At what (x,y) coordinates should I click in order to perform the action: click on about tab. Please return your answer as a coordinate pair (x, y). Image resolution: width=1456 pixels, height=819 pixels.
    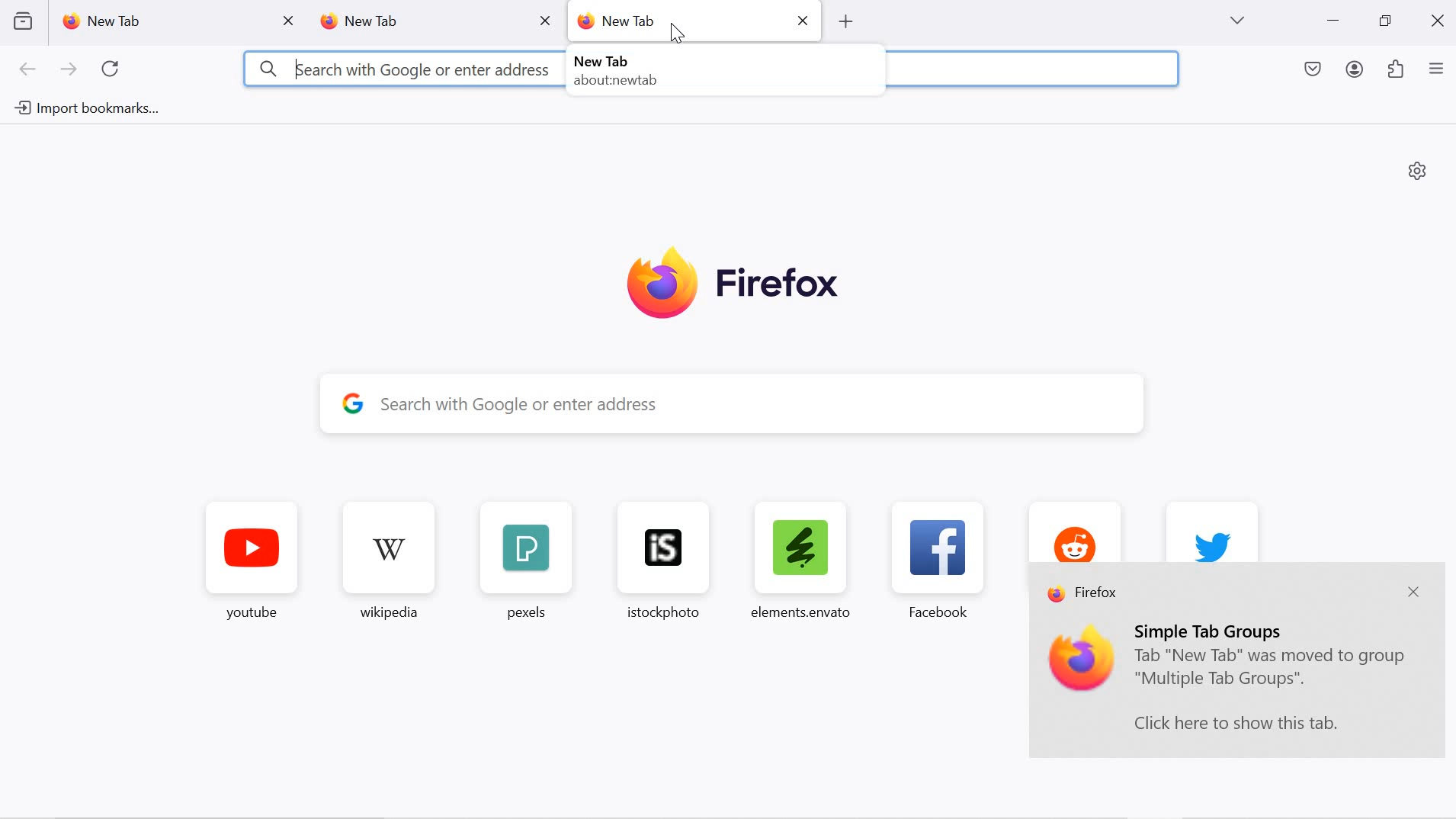
    Looking at the image, I should click on (611, 72).